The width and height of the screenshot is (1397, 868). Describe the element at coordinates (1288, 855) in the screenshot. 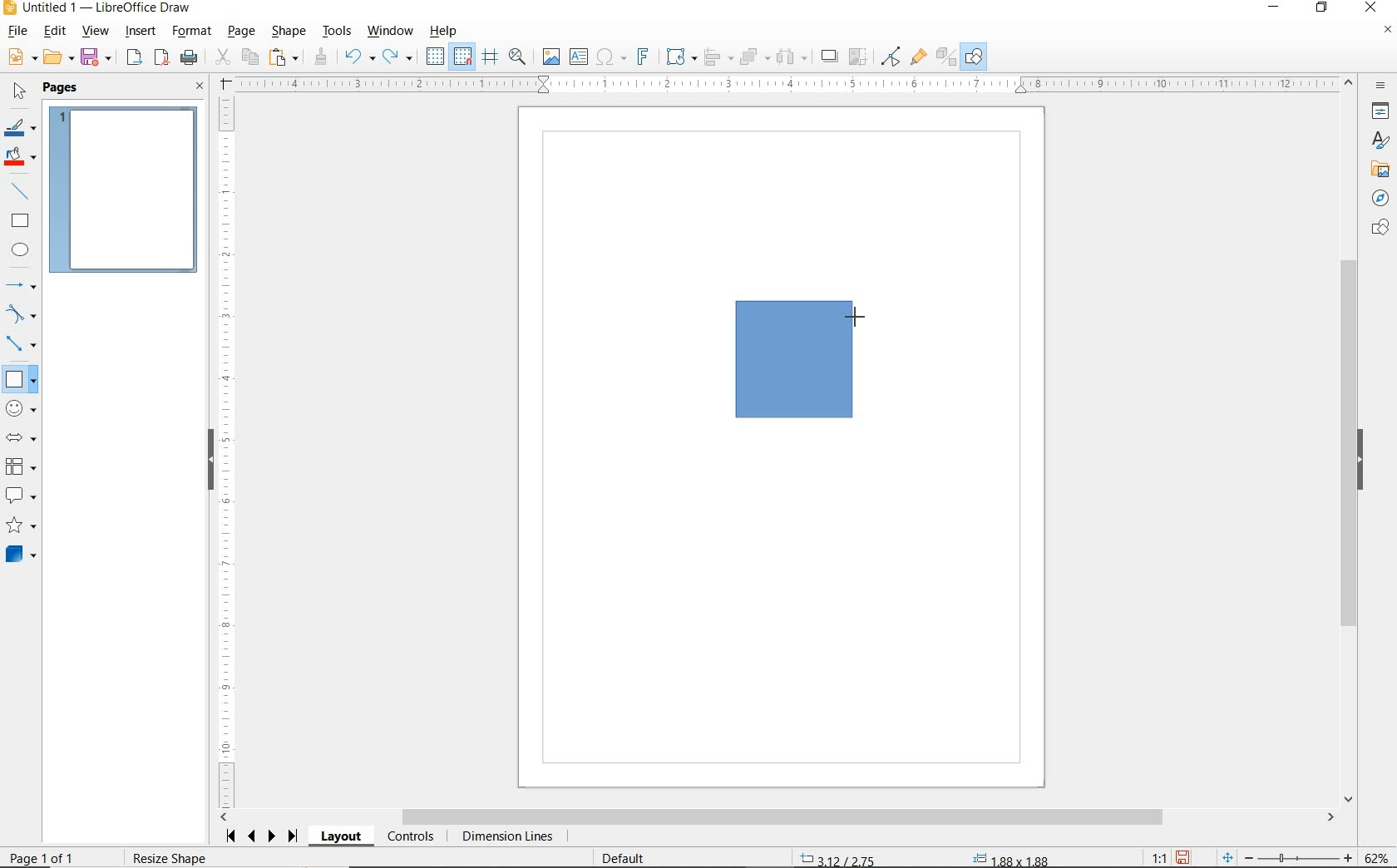

I see `ZOOM OUT OR ZOOM IN` at that location.